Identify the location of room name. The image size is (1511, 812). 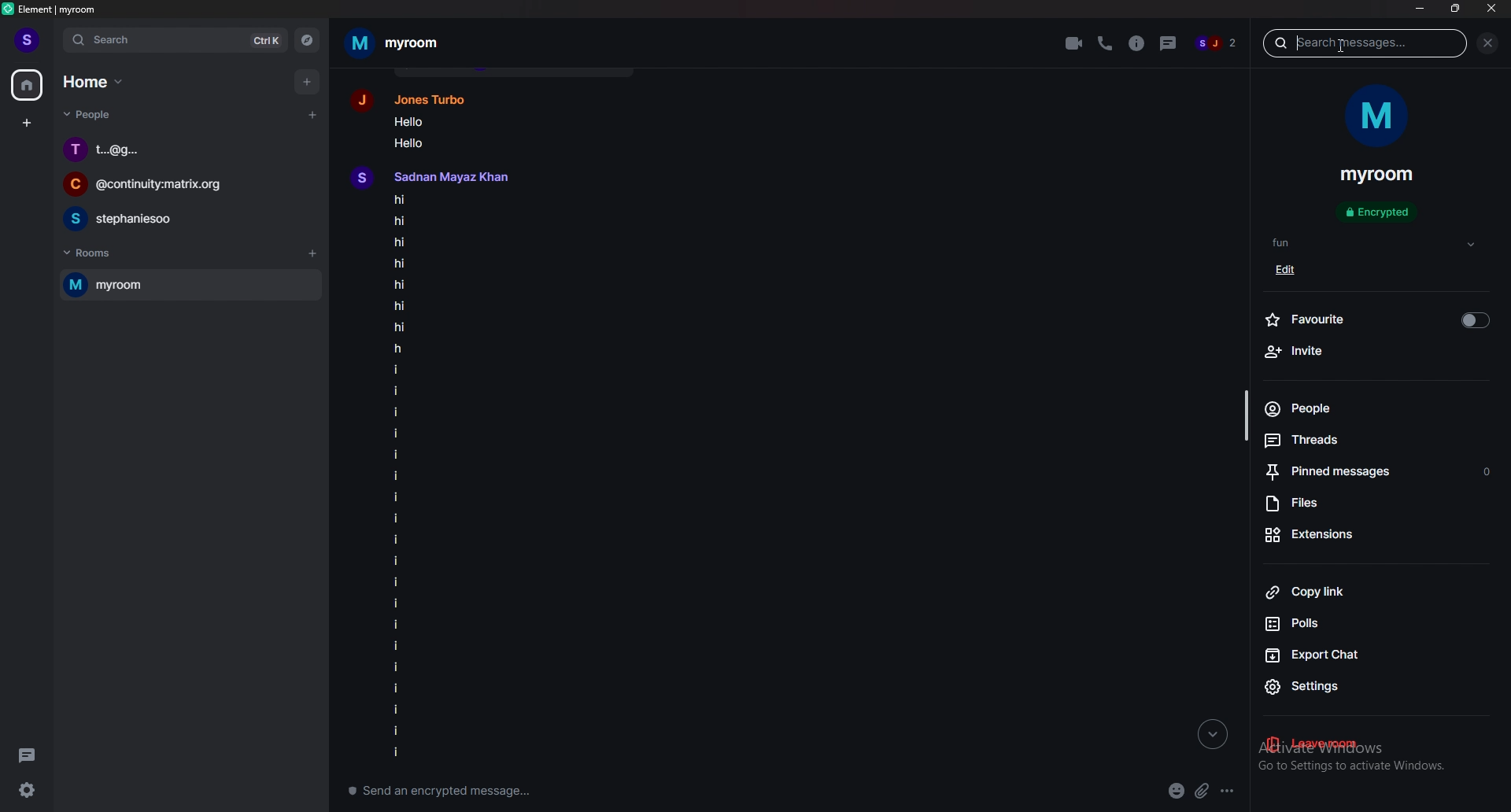
(397, 42).